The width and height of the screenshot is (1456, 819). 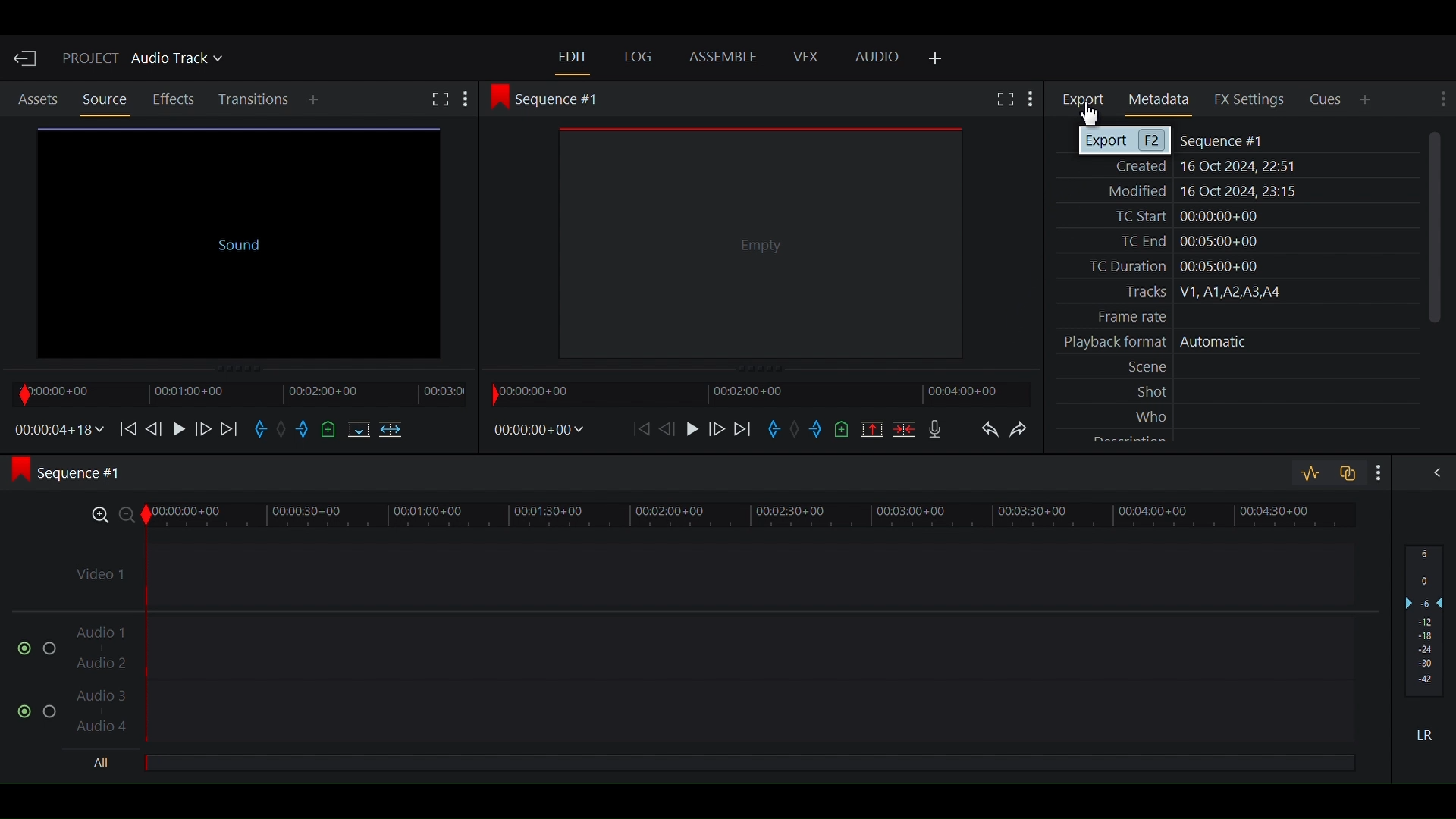 What do you see at coordinates (316, 101) in the screenshot?
I see `Add Panel` at bounding box center [316, 101].